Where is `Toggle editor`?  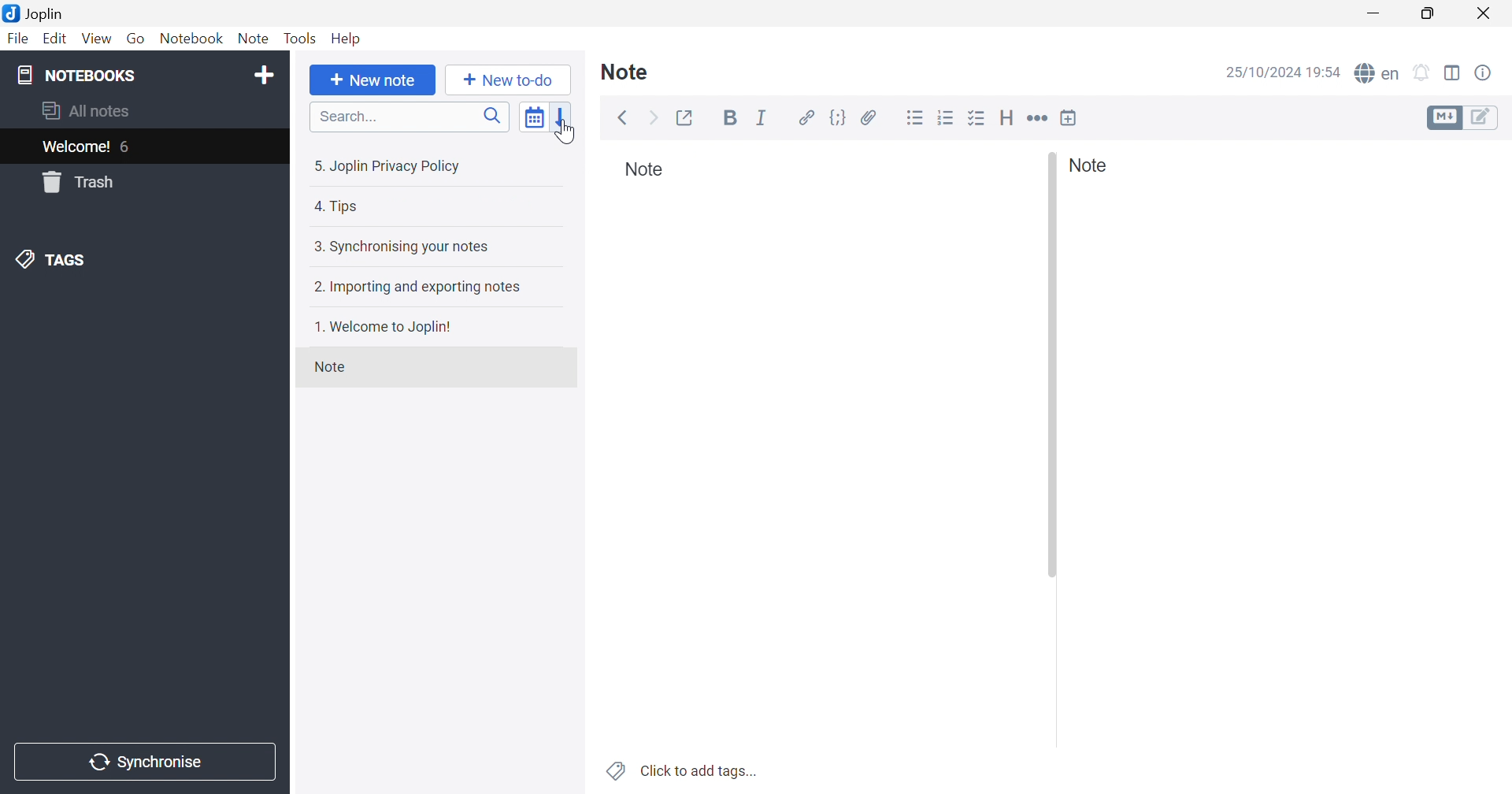 Toggle editor is located at coordinates (1443, 117).